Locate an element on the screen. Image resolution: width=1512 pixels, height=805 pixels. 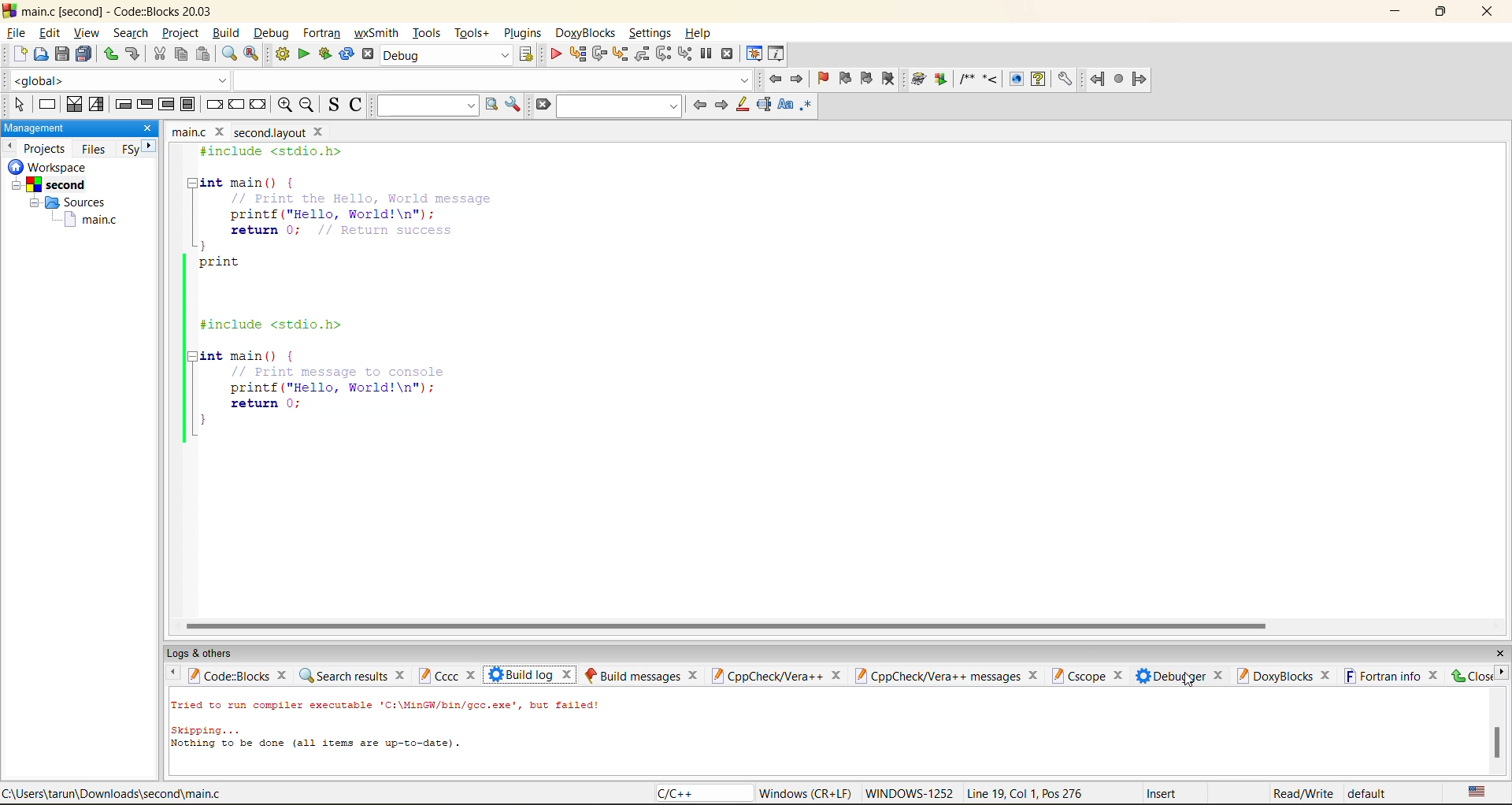
replace is located at coordinates (250, 54).